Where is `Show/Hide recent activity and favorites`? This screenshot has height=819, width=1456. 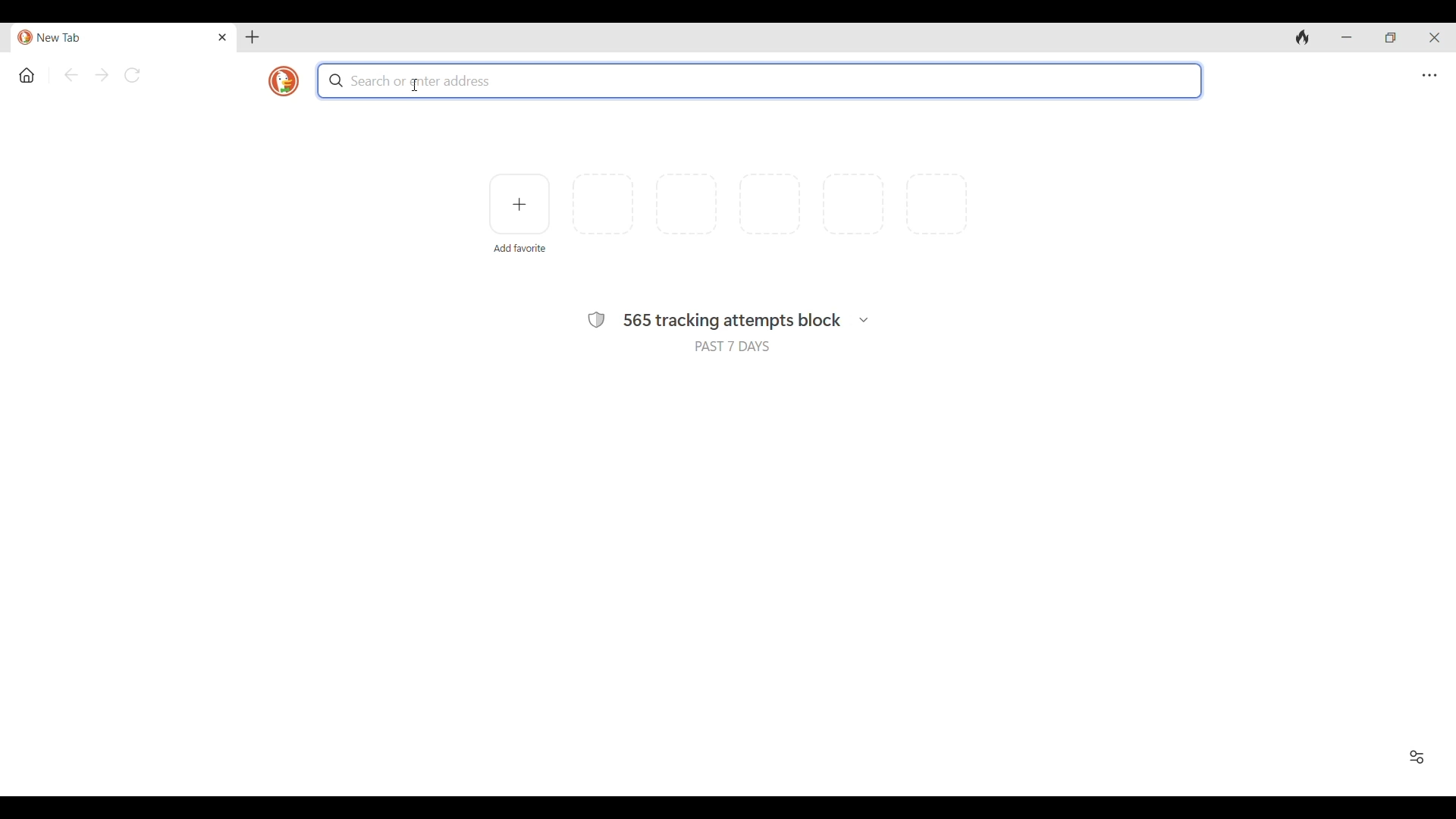
Show/Hide recent activity and favorites is located at coordinates (1417, 757).